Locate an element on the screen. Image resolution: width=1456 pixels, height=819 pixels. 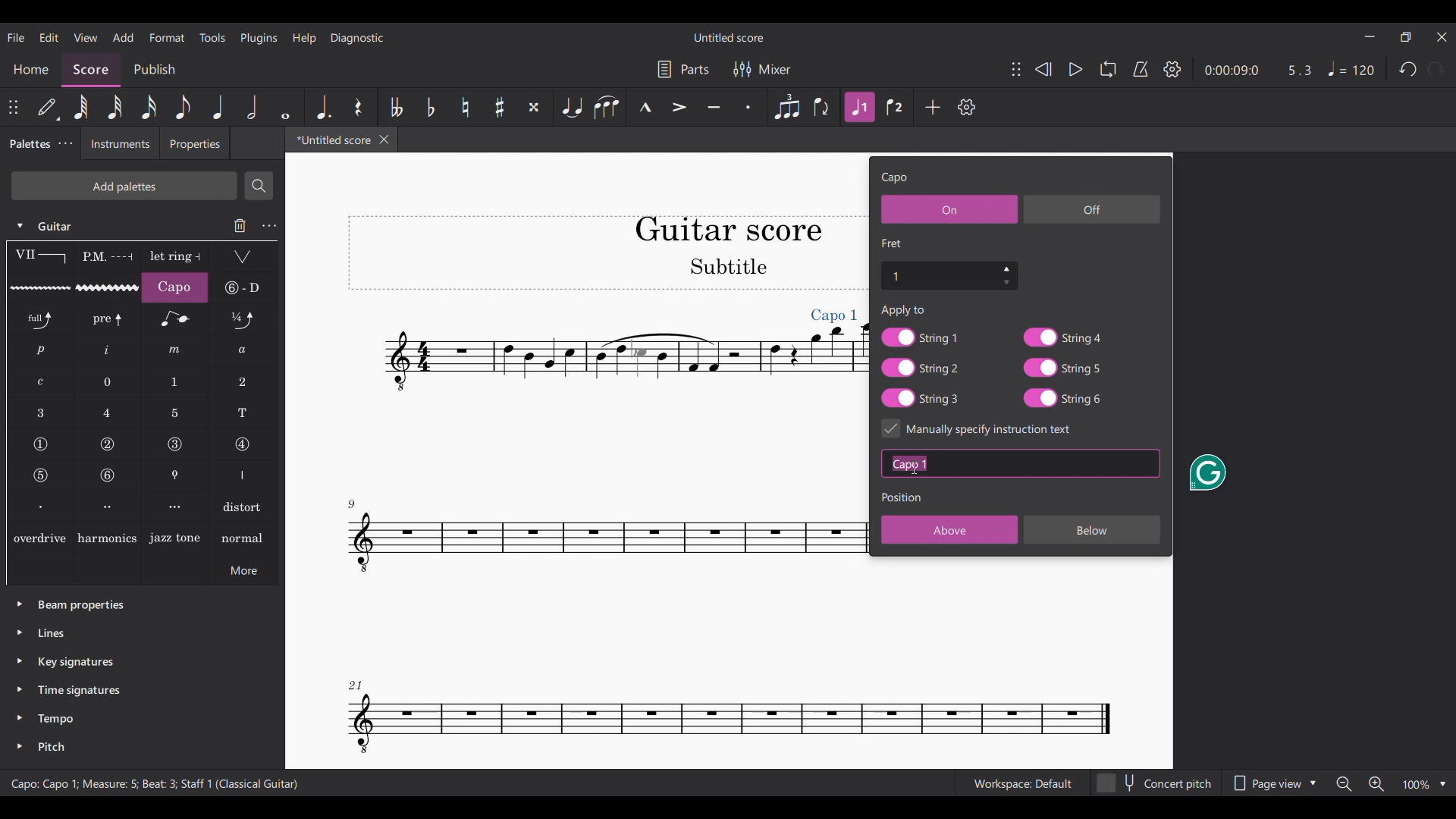
String 4 toggle is located at coordinates (1062, 337).